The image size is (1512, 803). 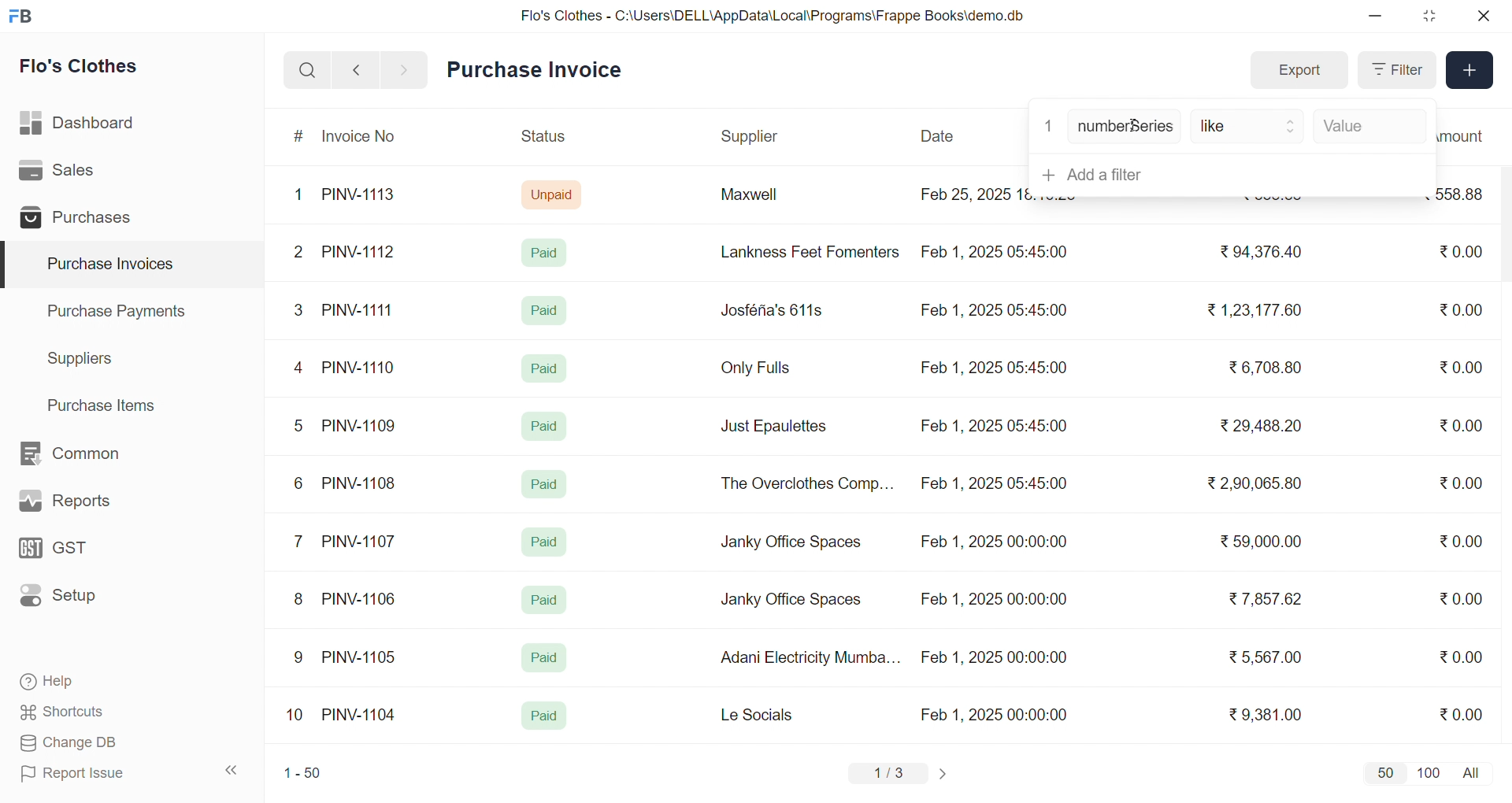 I want to click on Paid, so click(x=545, y=484).